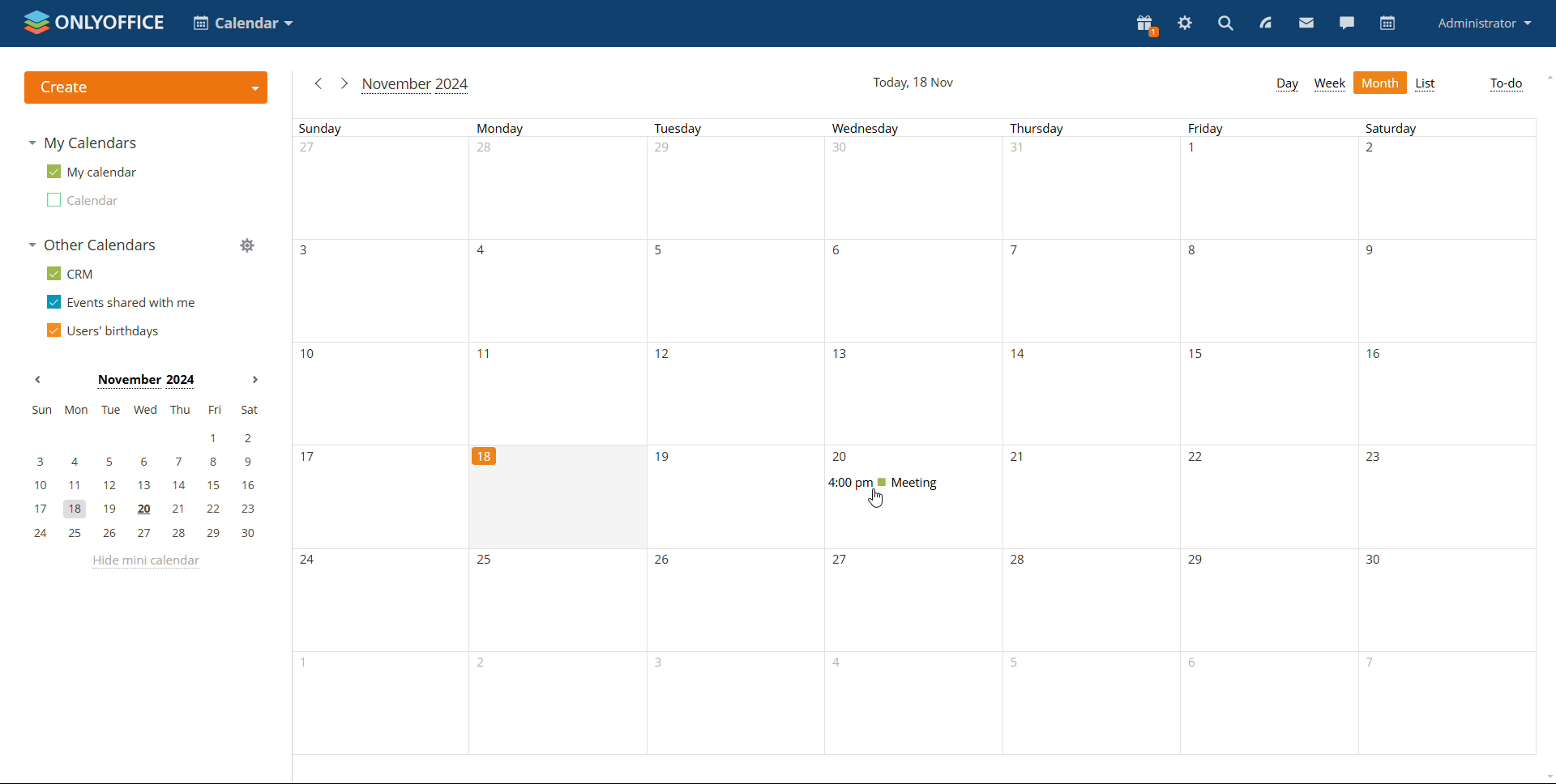 Image resolution: width=1556 pixels, height=784 pixels. Describe the element at coordinates (242, 23) in the screenshot. I see `select application` at that location.